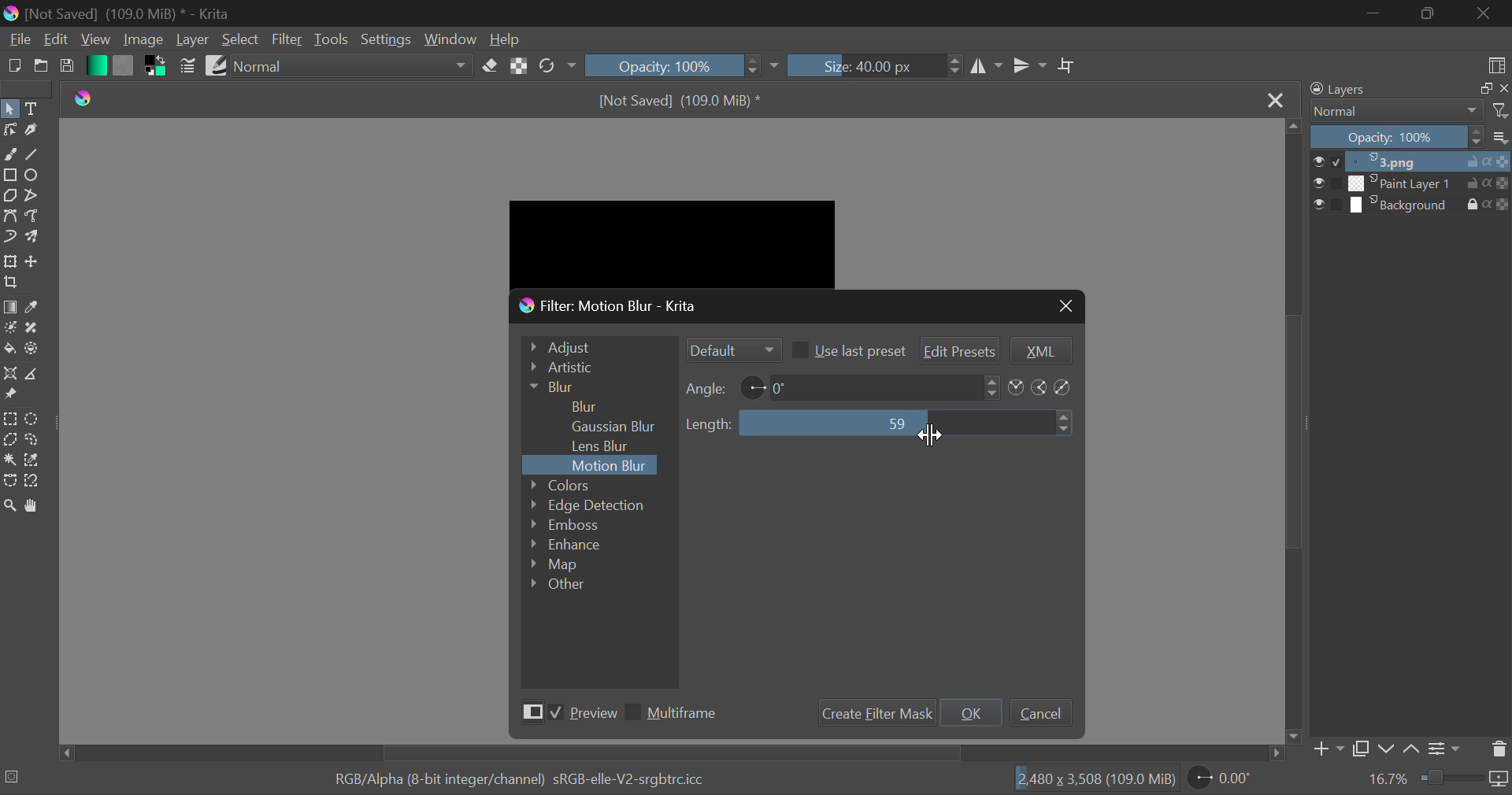 The width and height of the screenshot is (1512, 795). Describe the element at coordinates (1465, 779) in the screenshot. I see `zoom slider` at that location.